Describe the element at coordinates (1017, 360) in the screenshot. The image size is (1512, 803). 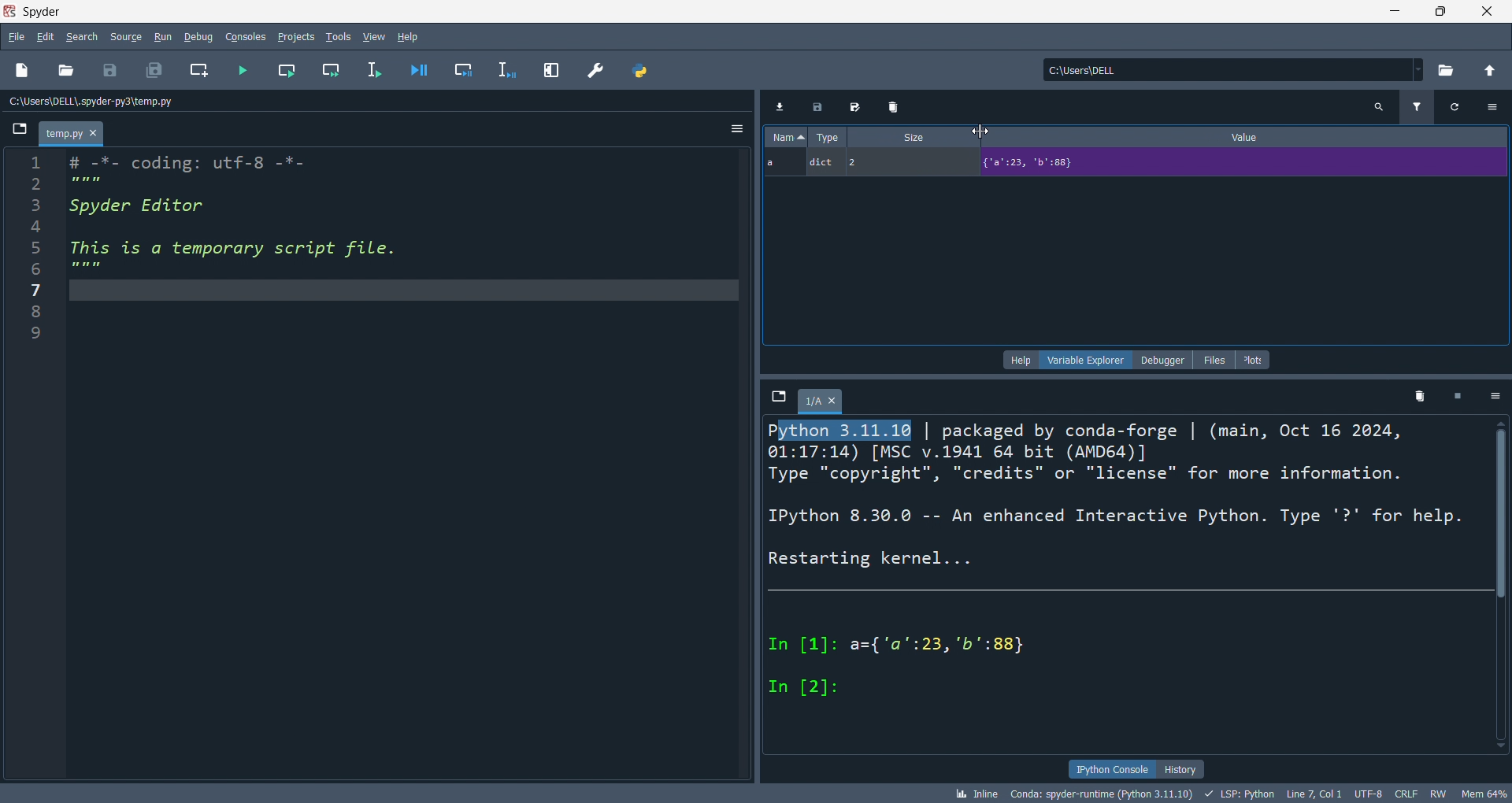
I see `help` at that location.